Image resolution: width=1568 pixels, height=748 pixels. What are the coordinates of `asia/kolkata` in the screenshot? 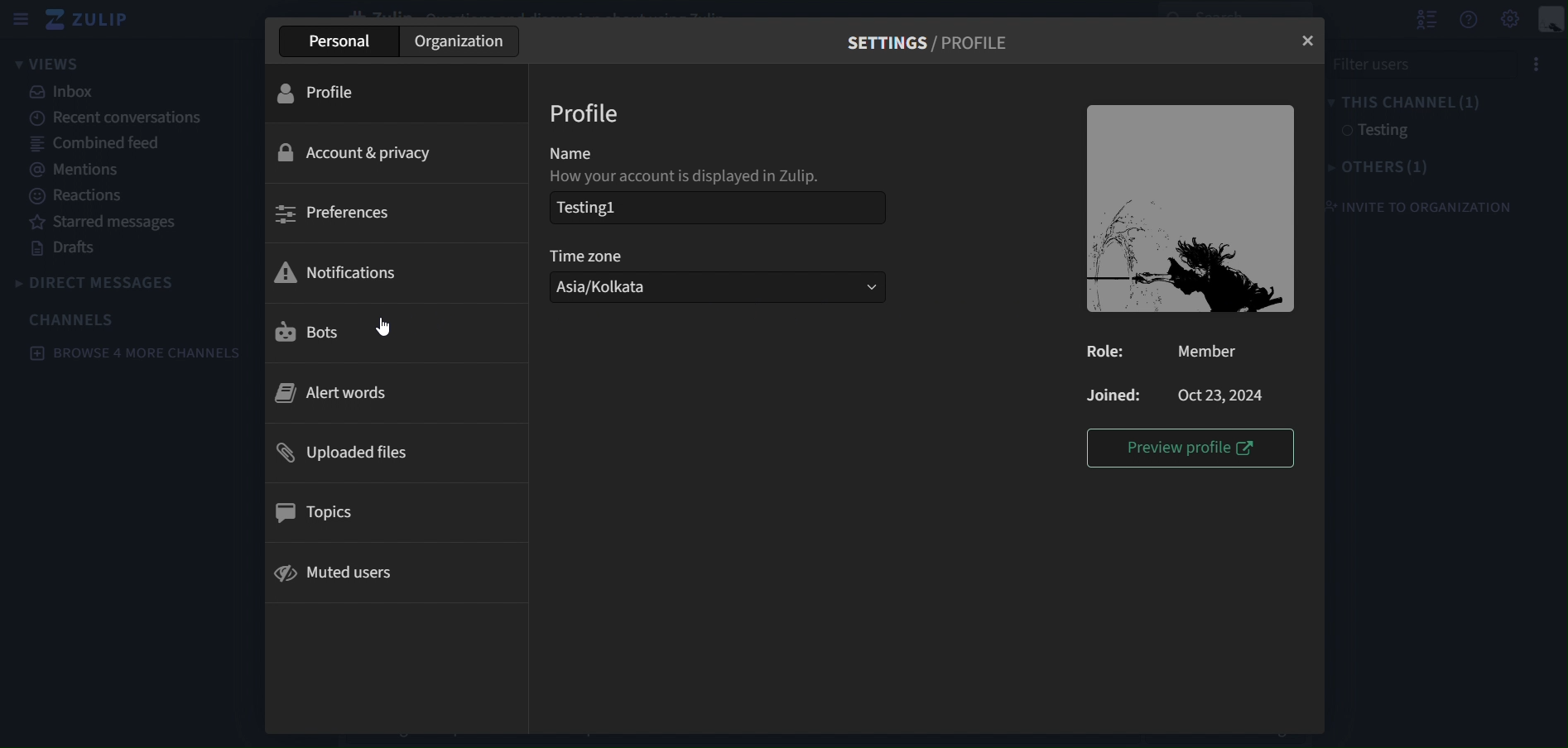 It's located at (625, 287).